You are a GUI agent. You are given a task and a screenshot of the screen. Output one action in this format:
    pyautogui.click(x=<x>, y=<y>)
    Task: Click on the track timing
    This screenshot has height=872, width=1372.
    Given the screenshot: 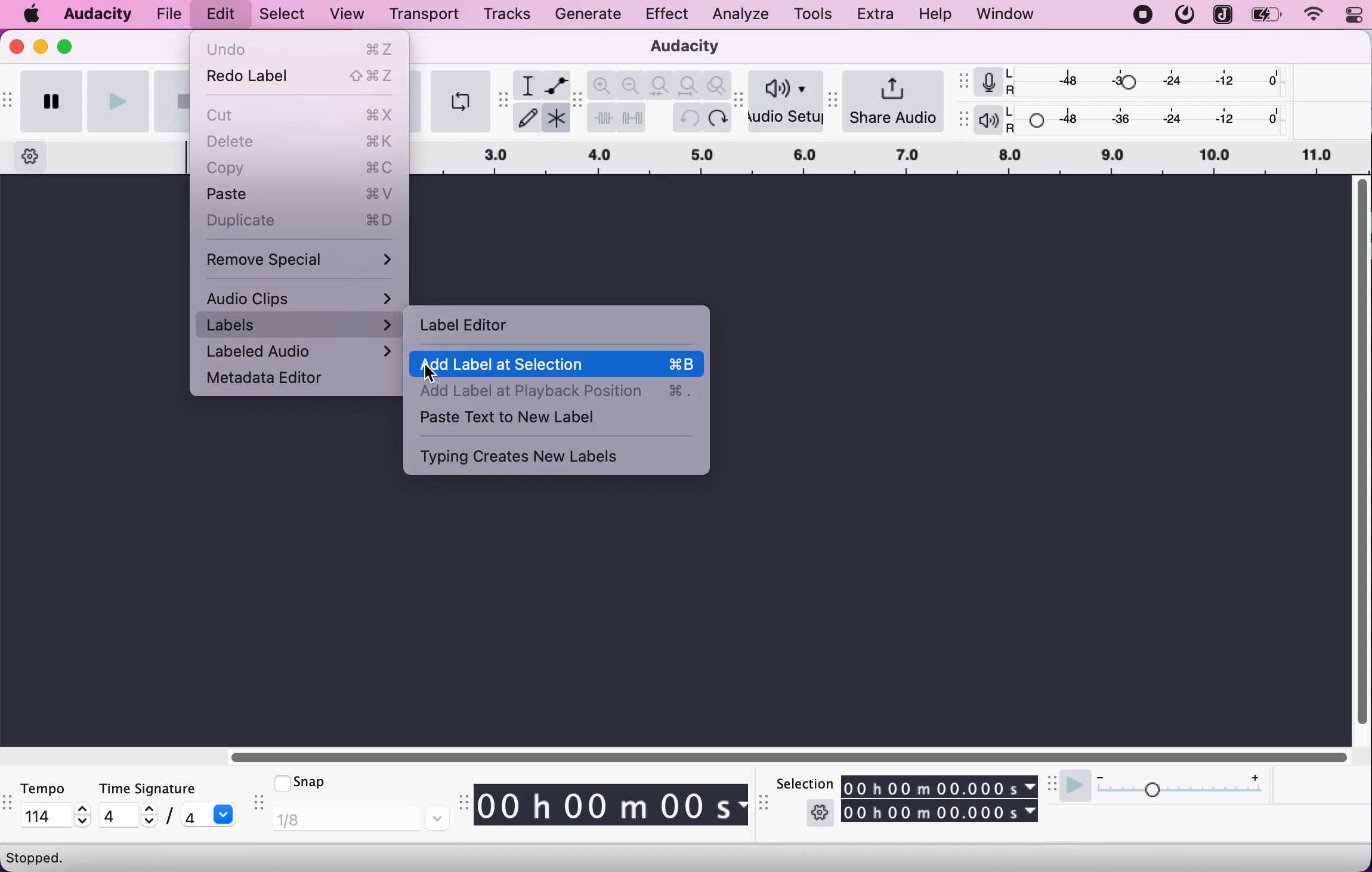 What is the action you would take?
    pyautogui.click(x=941, y=784)
    